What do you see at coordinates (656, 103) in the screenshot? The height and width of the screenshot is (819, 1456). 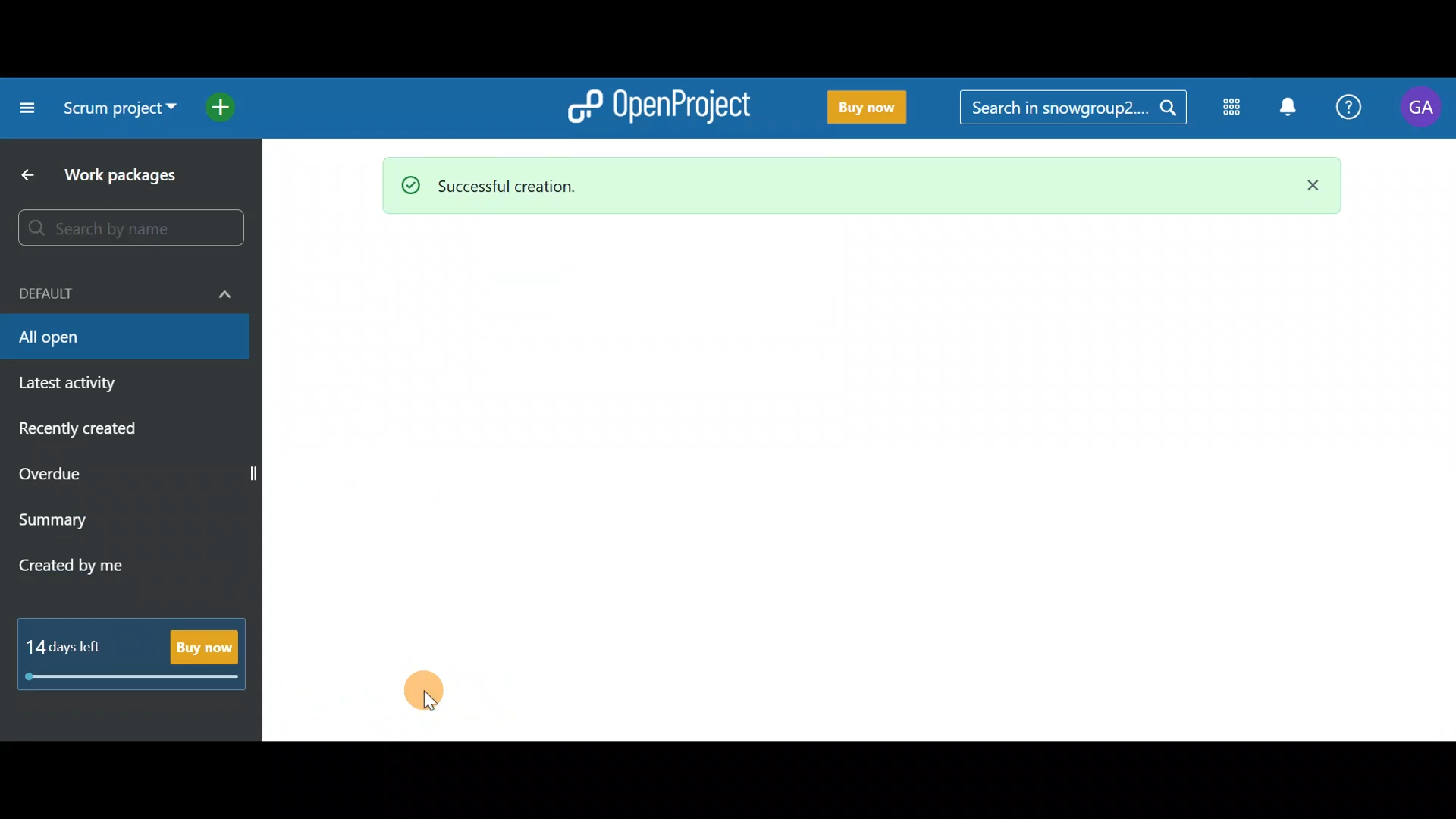 I see `OpenProject` at bounding box center [656, 103].